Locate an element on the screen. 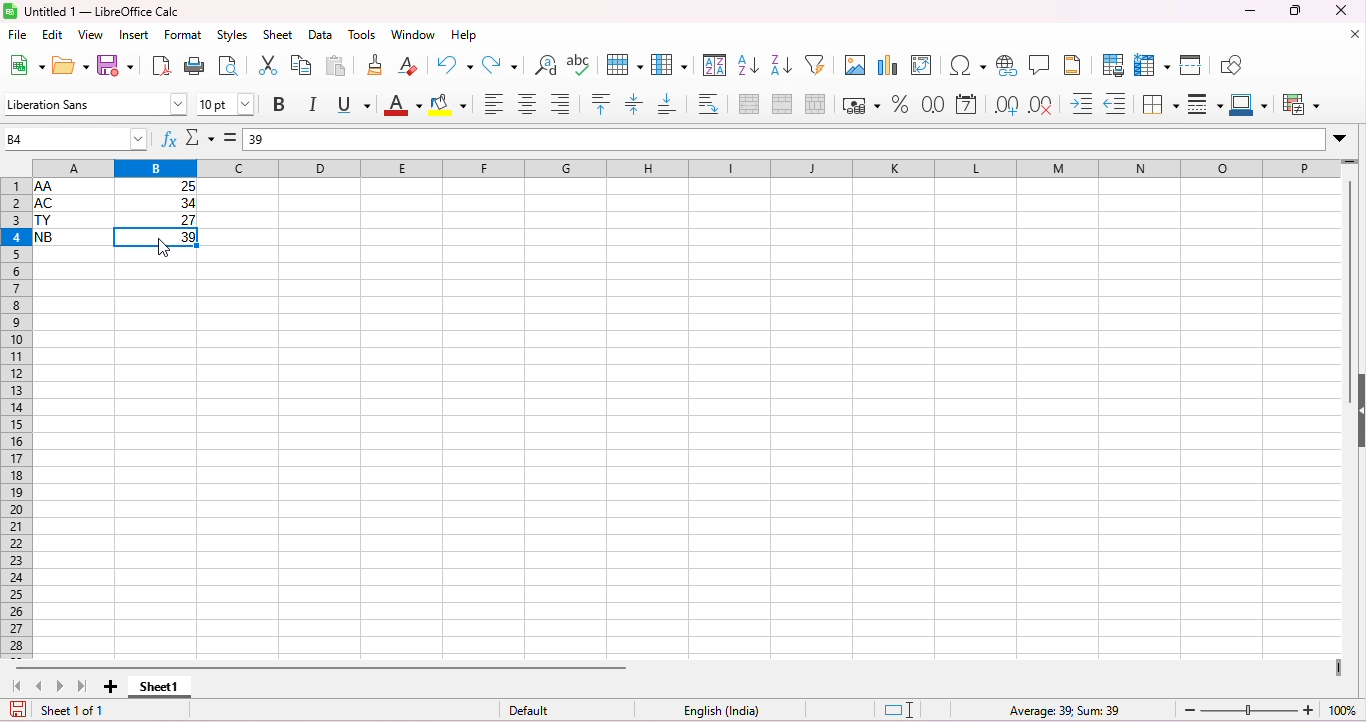 The width and height of the screenshot is (1366, 722). merge is located at coordinates (782, 103).